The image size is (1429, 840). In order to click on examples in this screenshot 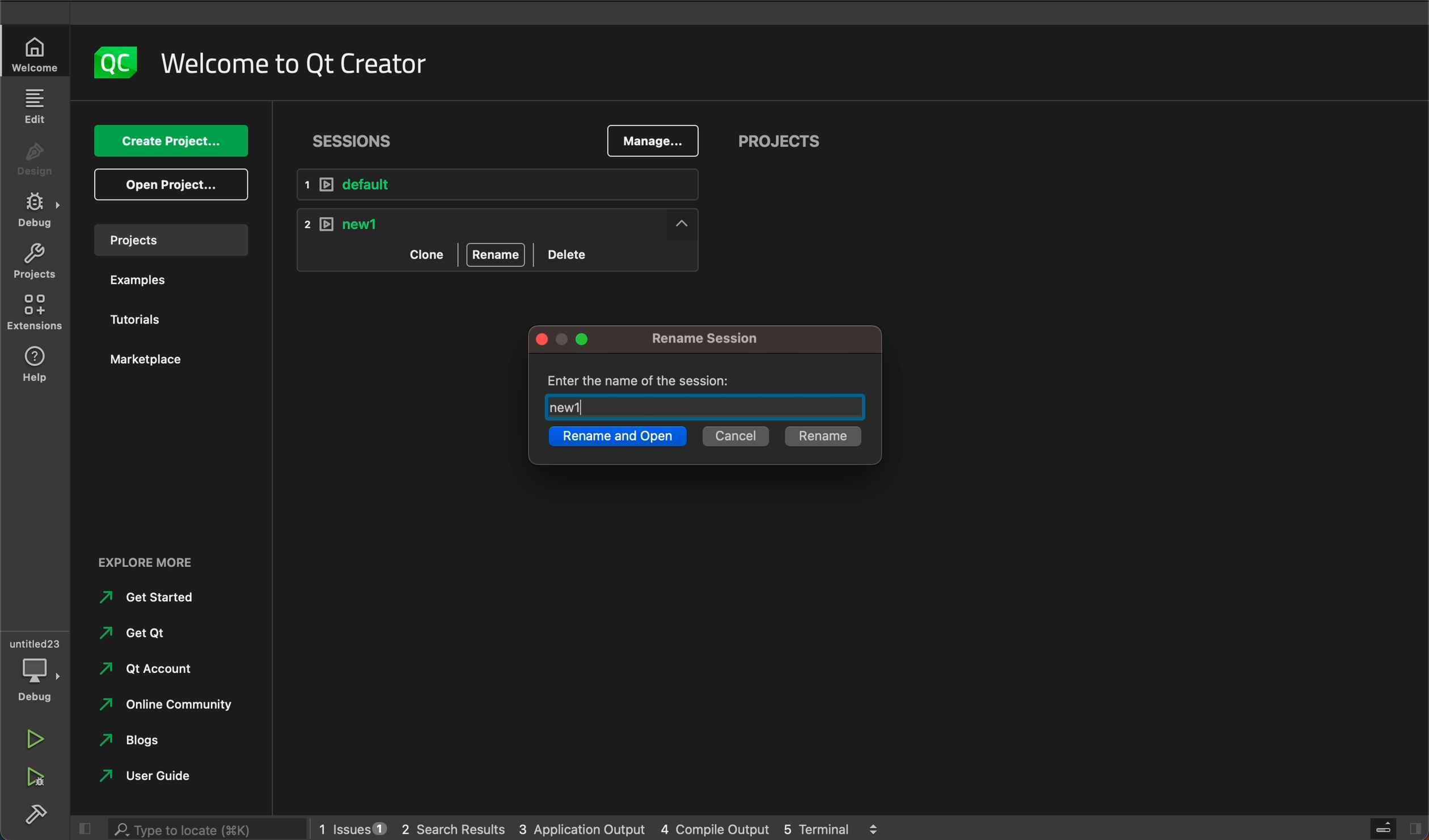, I will do `click(149, 281)`.